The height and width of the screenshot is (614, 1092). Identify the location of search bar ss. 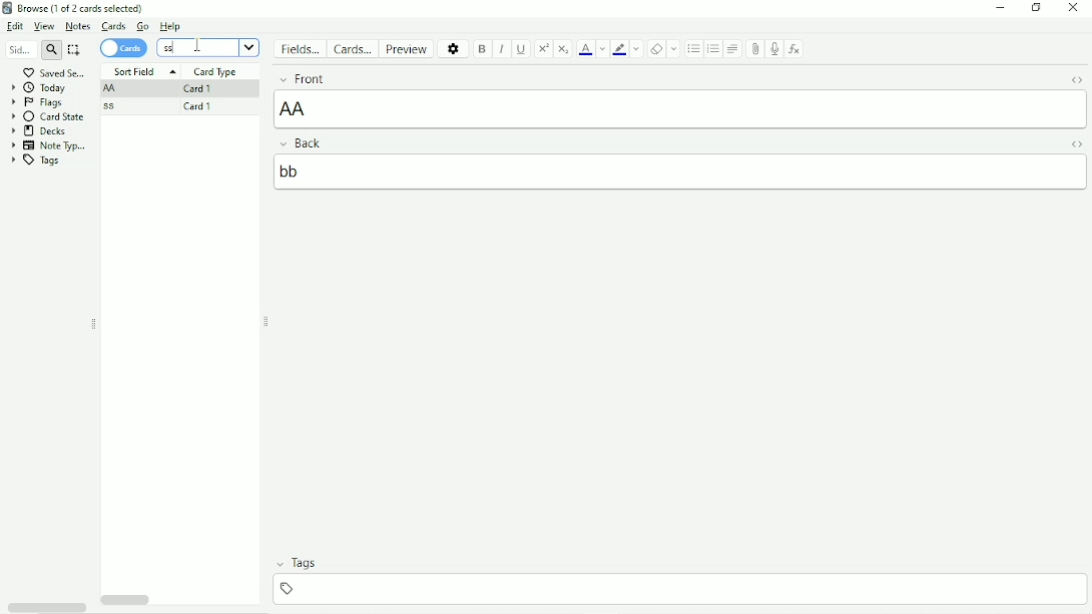
(198, 47).